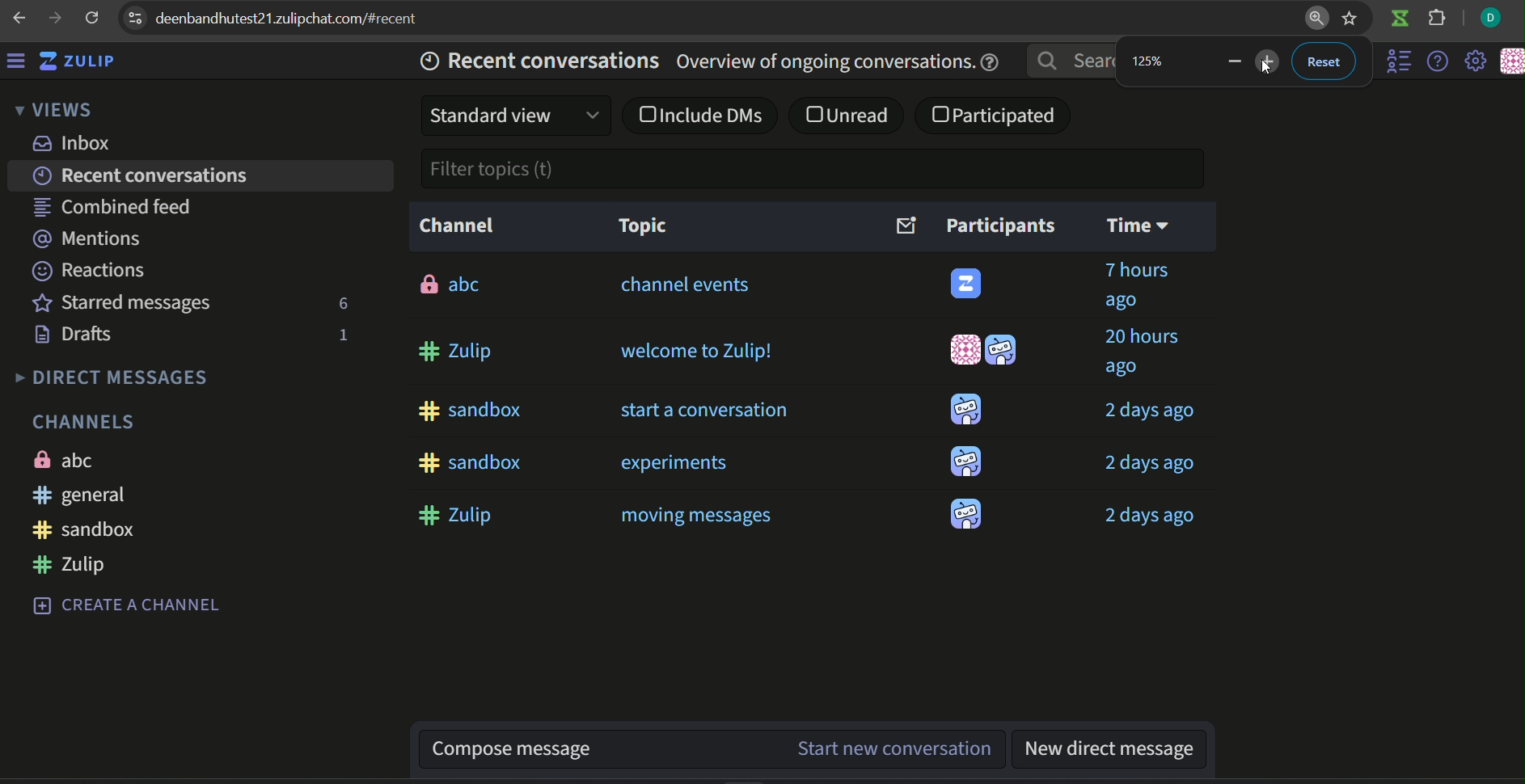 The width and height of the screenshot is (1525, 784). I want to click on zoom, so click(1316, 20).